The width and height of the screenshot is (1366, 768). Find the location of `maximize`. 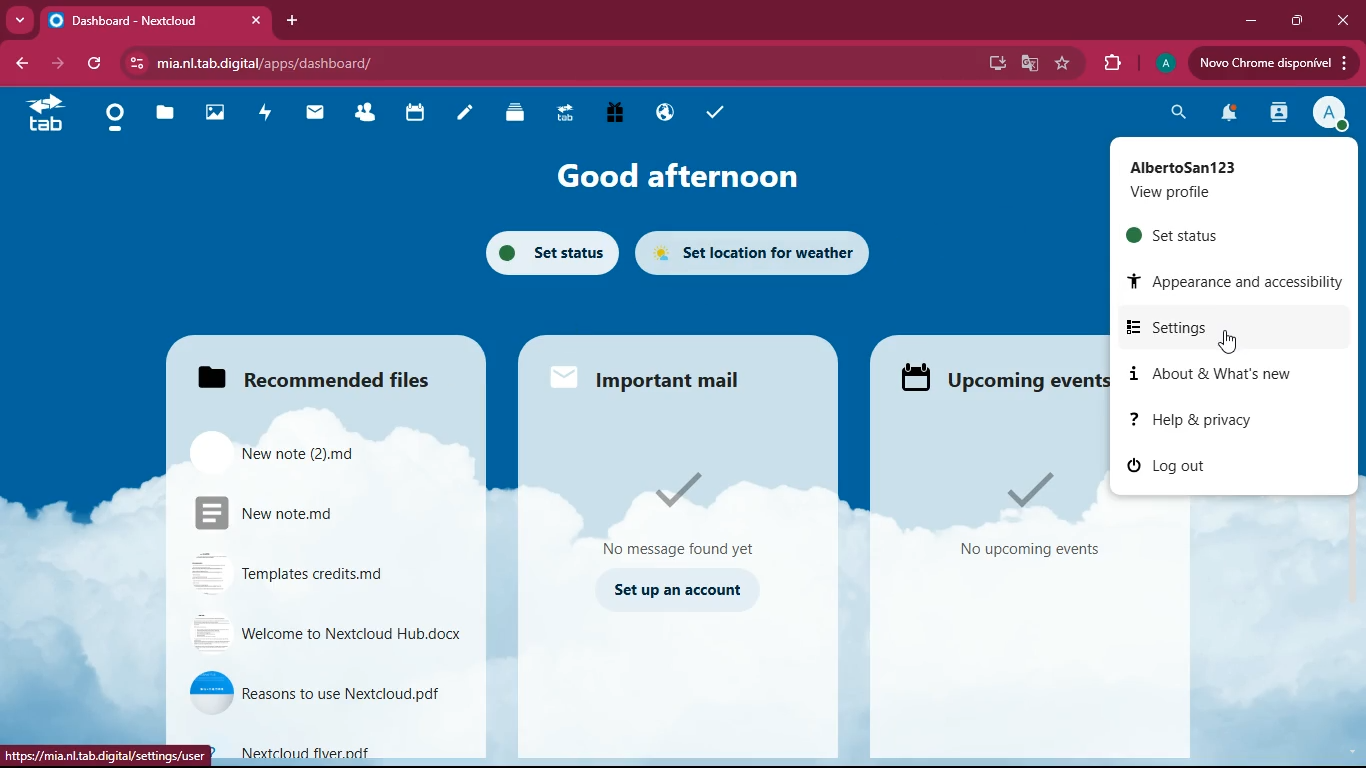

maximize is located at coordinates (1295, 21).